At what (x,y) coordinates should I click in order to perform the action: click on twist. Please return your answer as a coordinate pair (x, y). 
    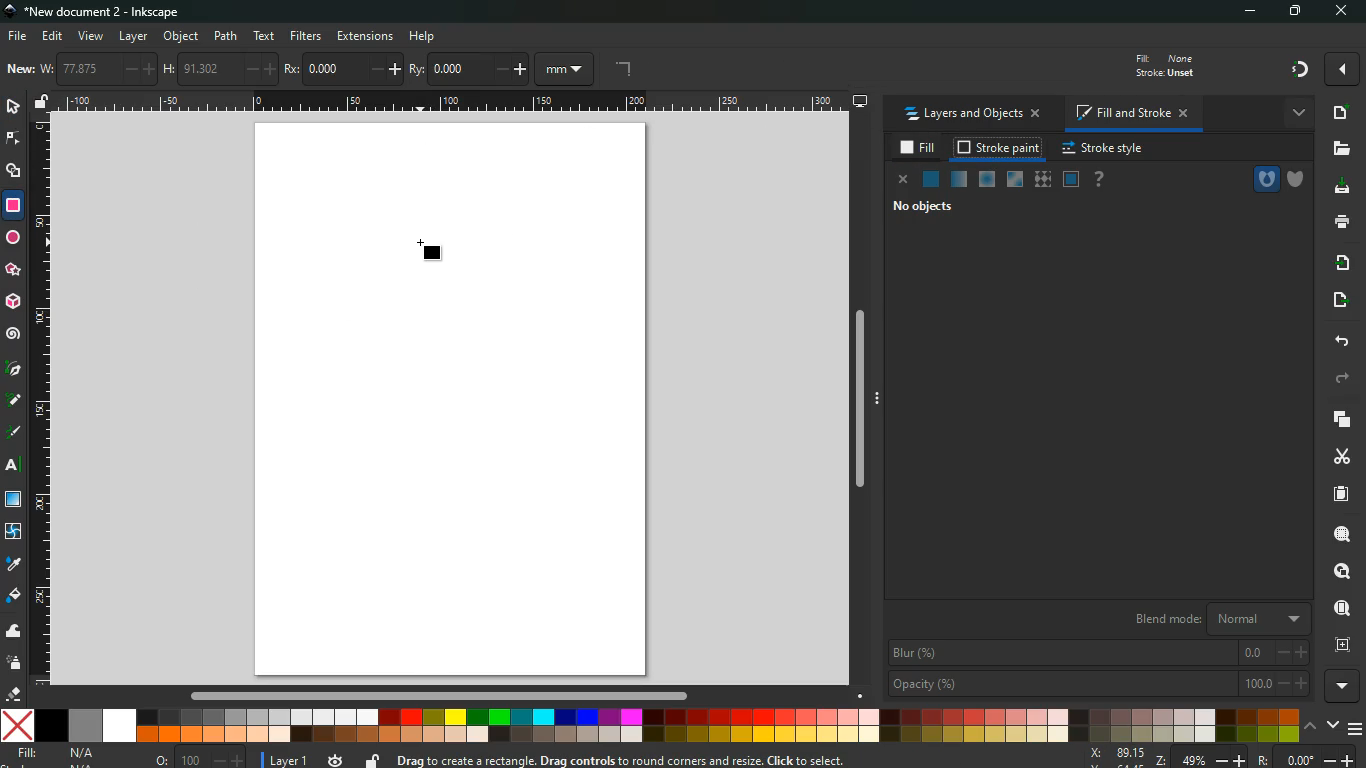
    Looking at the image, I should click on (13, 530).